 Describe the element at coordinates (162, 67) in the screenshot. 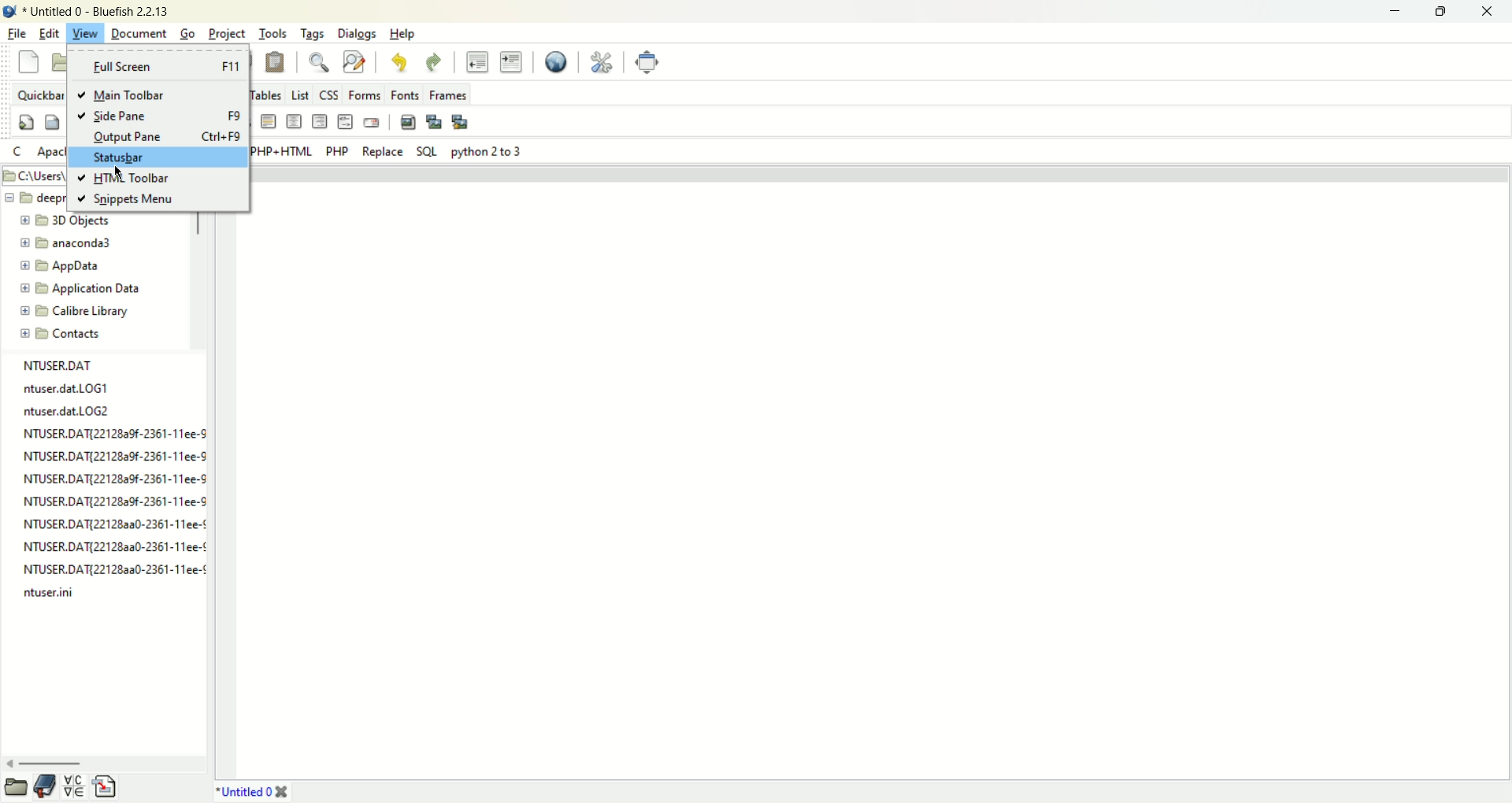

I see `full screen` at that location.